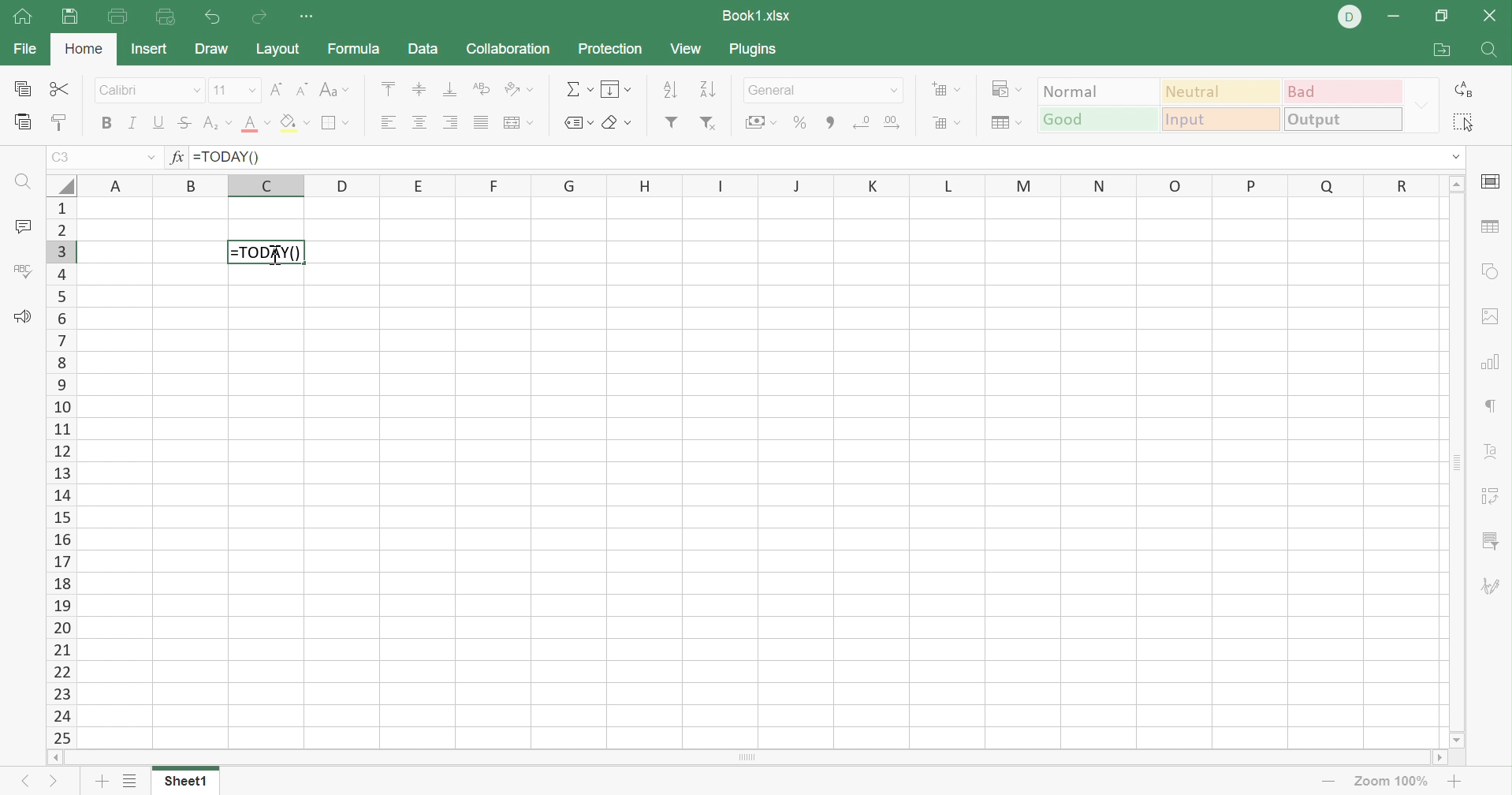 The width and height of the screenshot is (1512, 795). Describe the element at coordinates (1492, 19) in the screenshot. I see `Close` at that location.